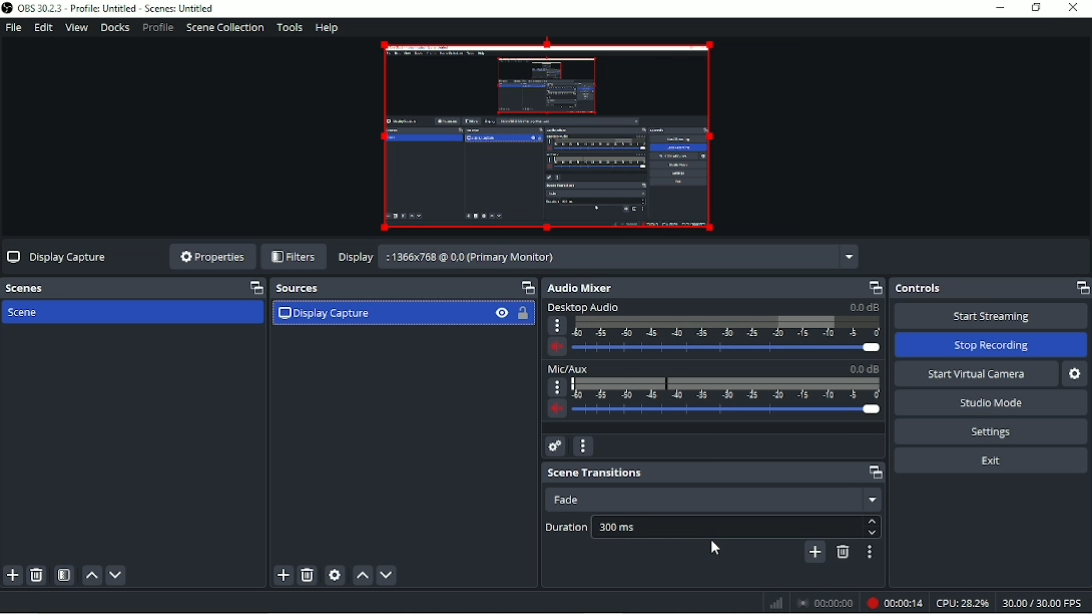  I want to click on Audio mixer, so click(839, 287).